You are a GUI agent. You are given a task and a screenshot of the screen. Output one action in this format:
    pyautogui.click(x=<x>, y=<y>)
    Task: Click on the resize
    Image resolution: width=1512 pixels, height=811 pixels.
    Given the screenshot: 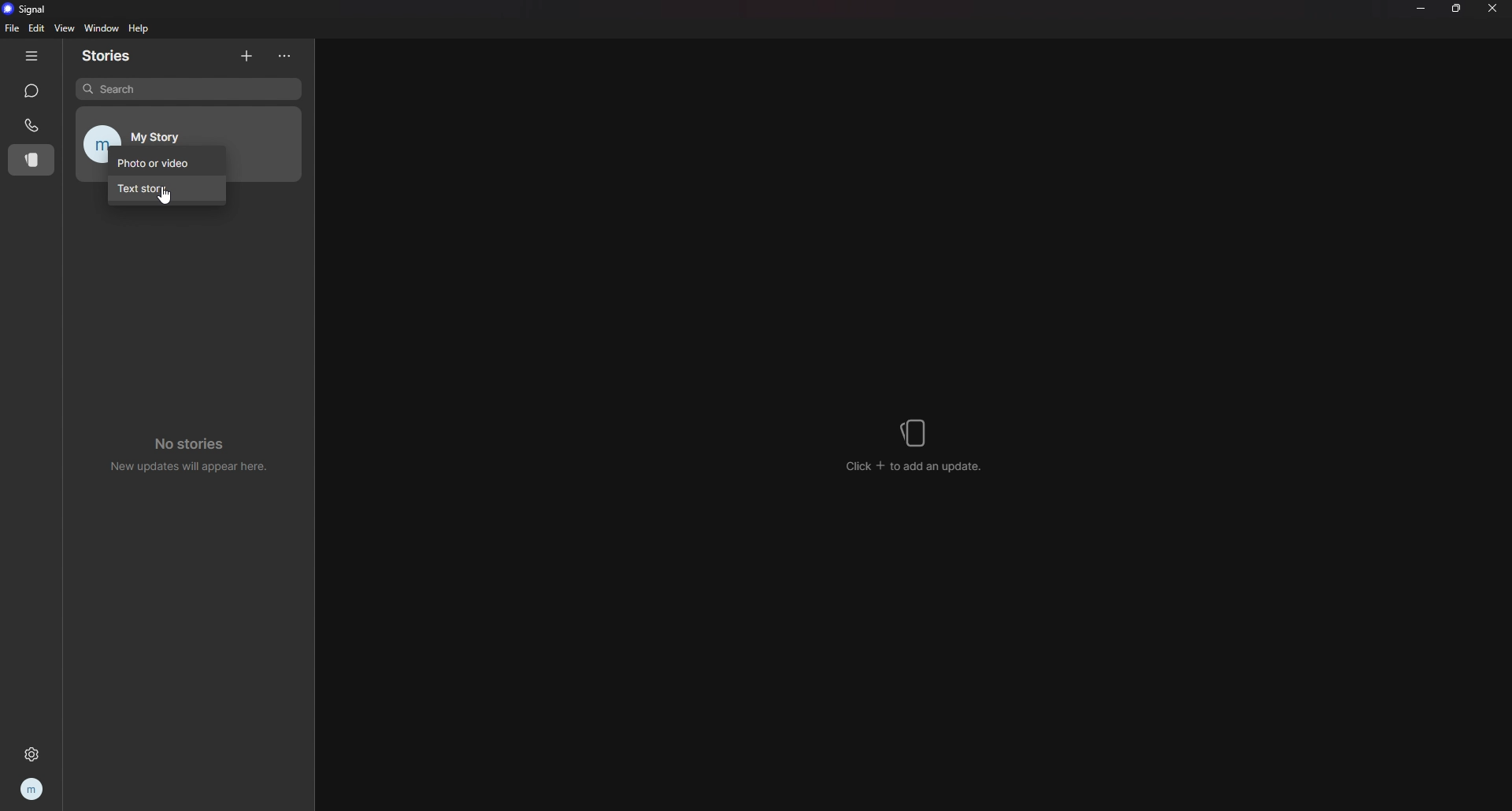 What is the action you would take?
    pyautogui.click(x=1458, y=8)
    